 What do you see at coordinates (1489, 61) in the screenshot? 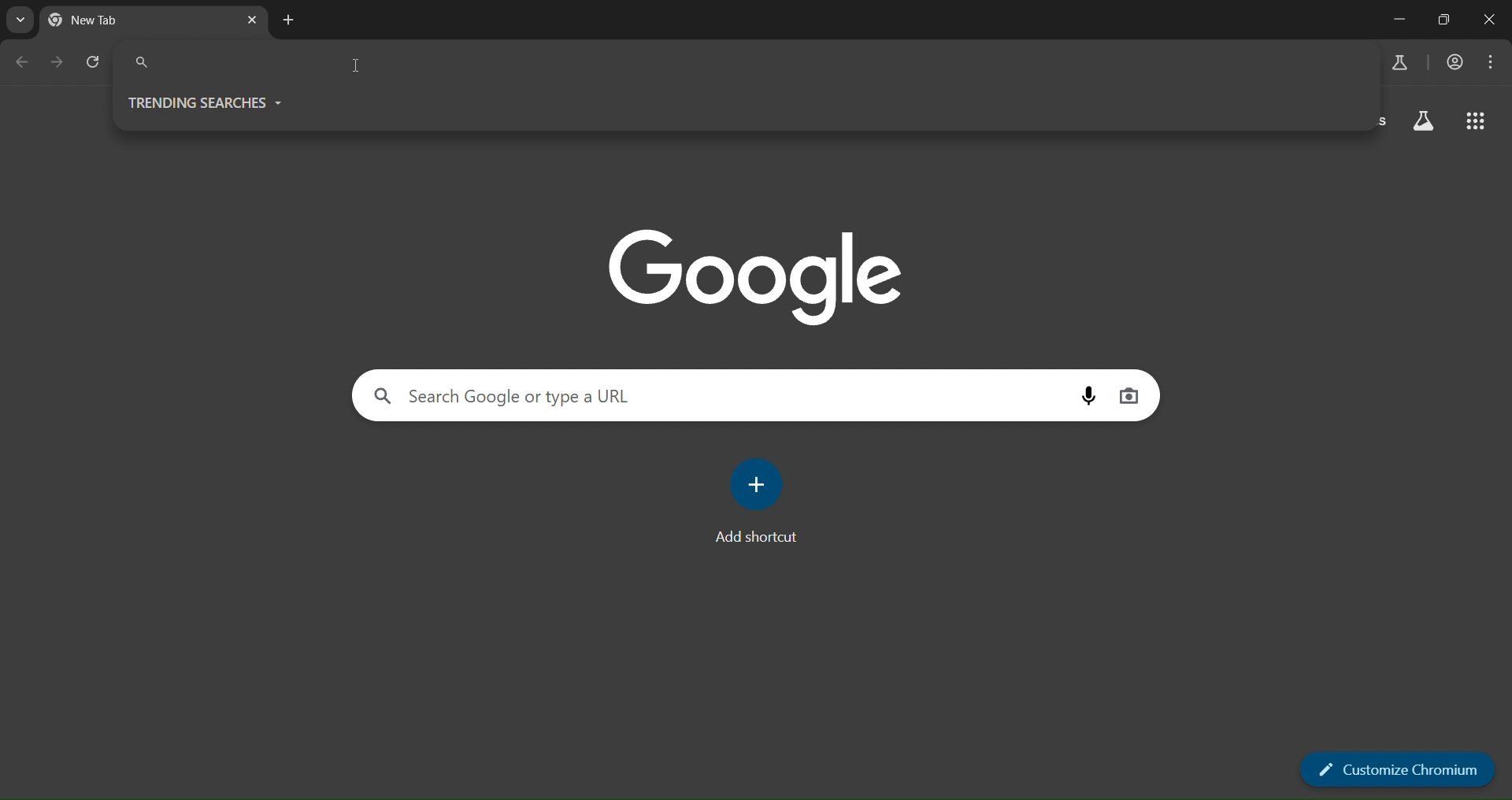
I see `menu` at bounding box center [1489, 61].